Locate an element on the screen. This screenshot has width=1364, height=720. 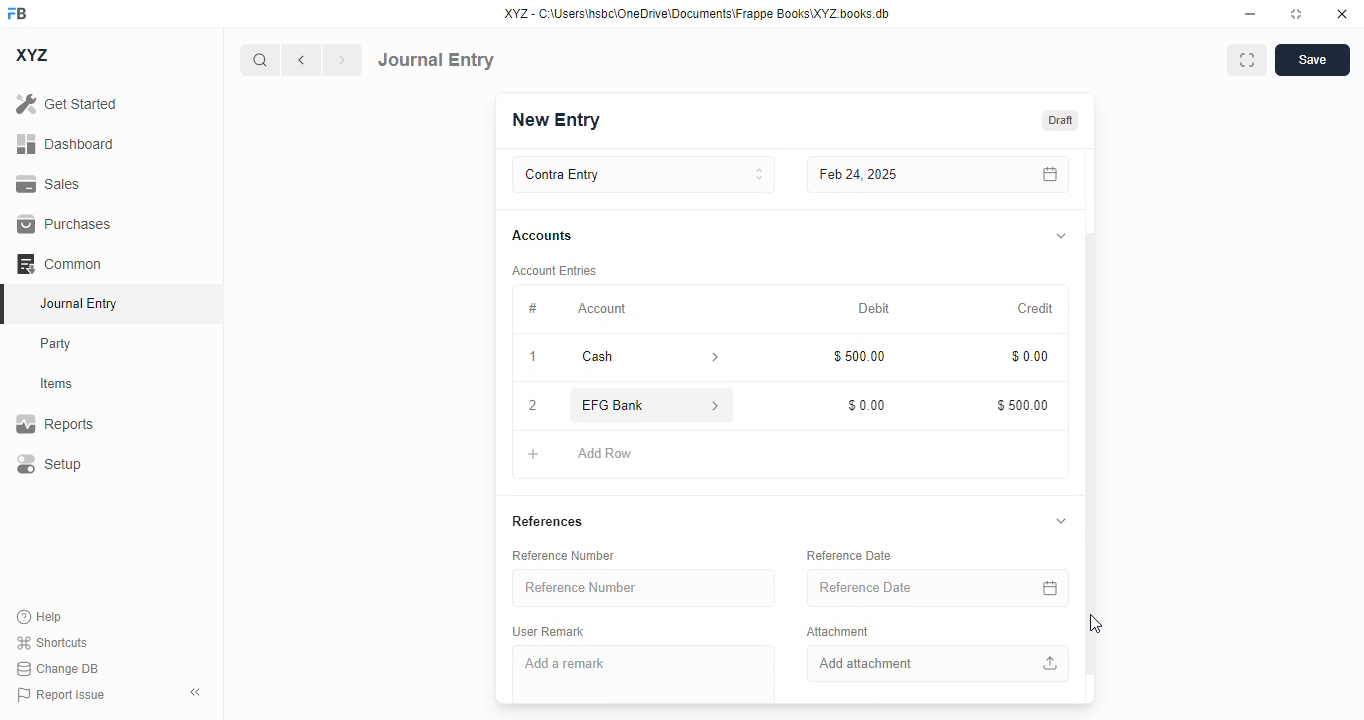
$500.00 is located at coordinates (1021, 403).